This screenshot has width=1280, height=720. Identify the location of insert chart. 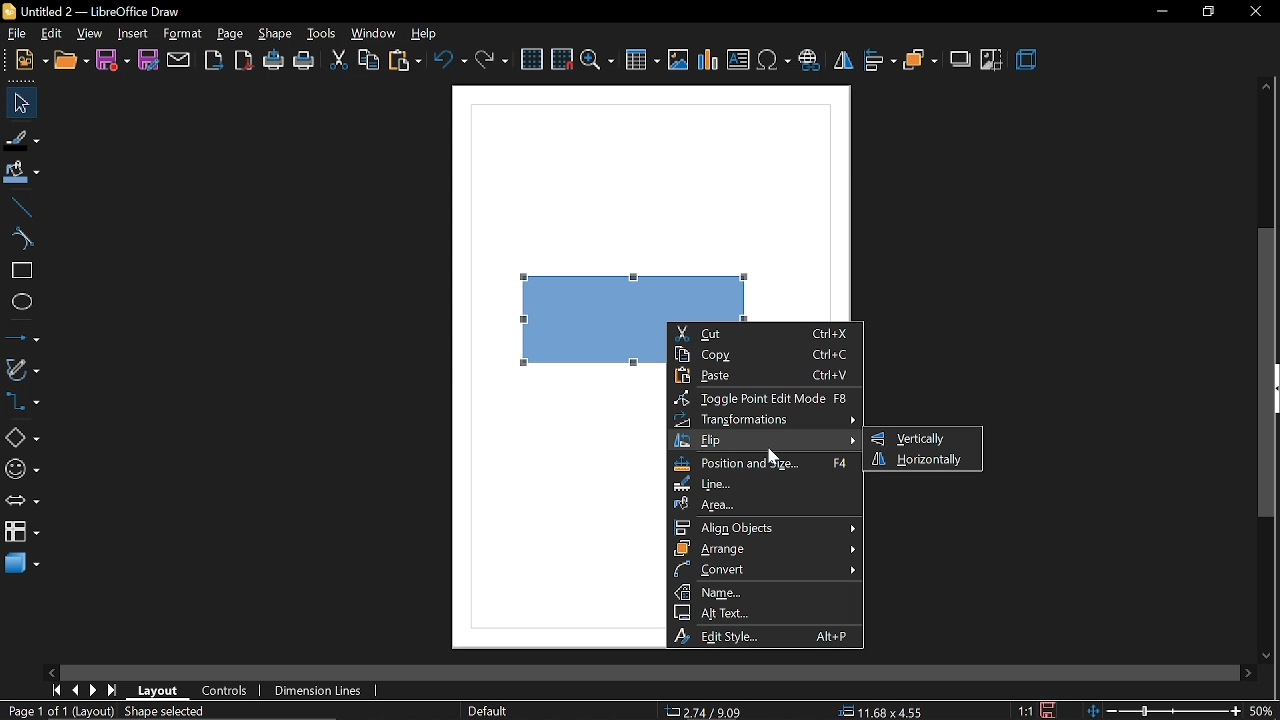
(708, 61).